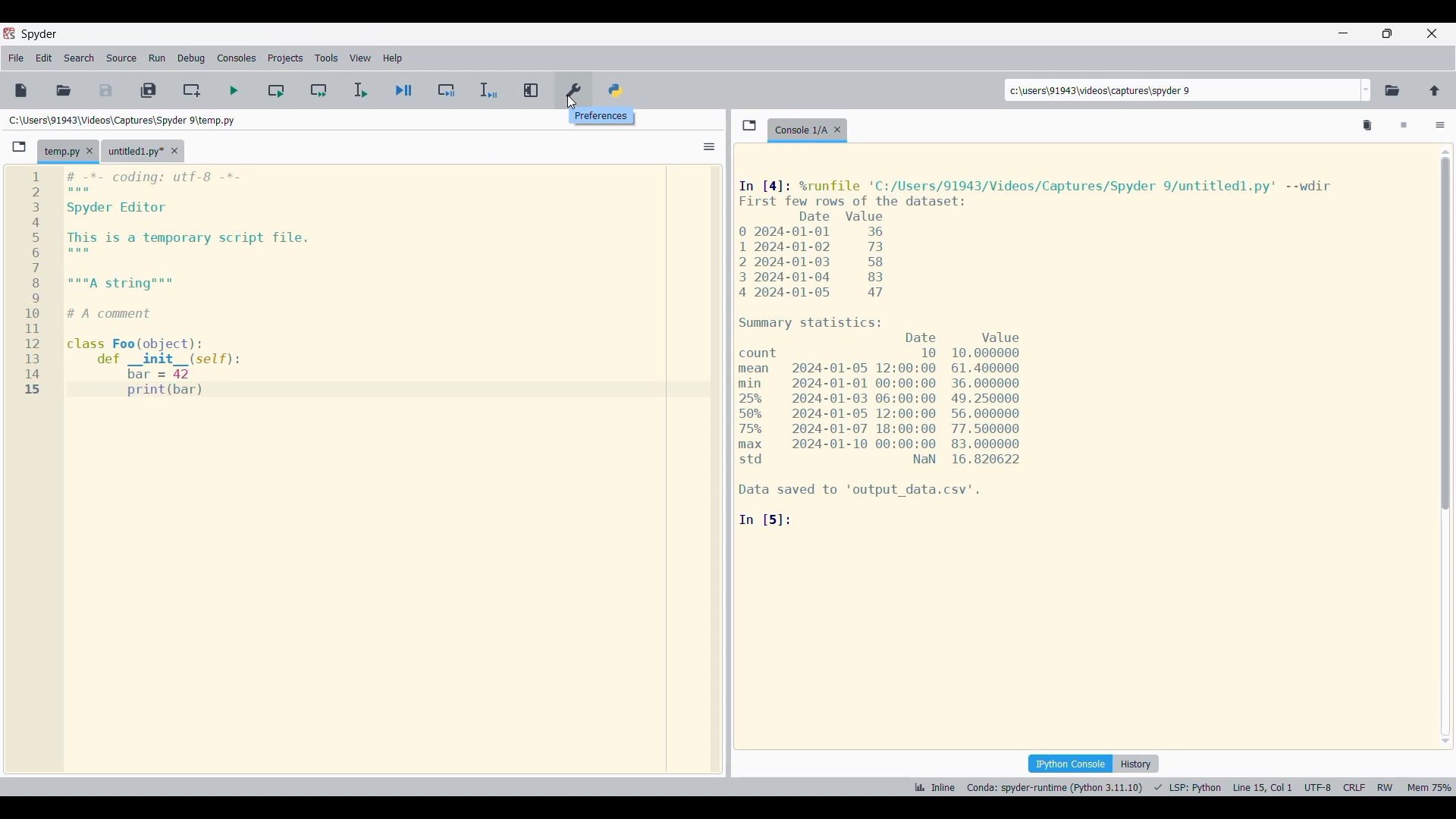 The height and width of the screenshot is (819, 1456). Describe the element at coordinates (191, 59) in the screenshot. I see `Debug menu` at that location.